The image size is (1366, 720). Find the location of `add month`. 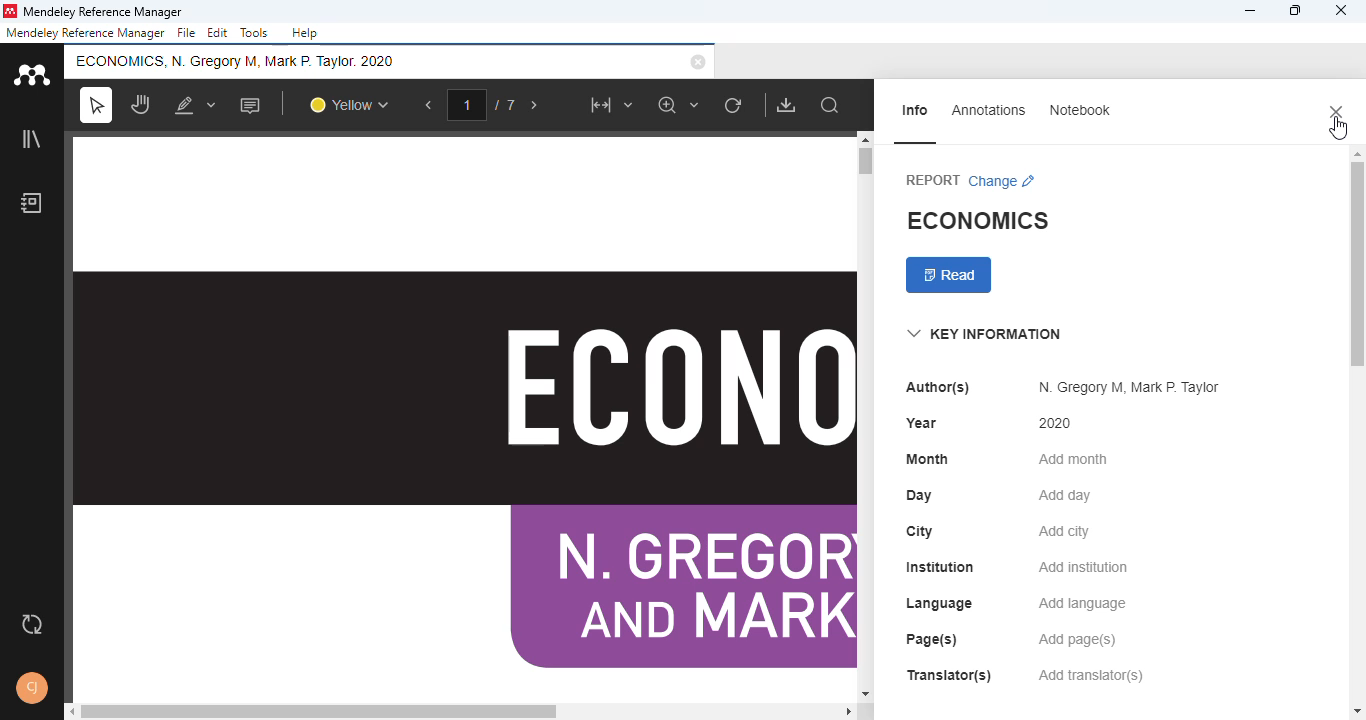

add month is located at coordinates (1072, 459).